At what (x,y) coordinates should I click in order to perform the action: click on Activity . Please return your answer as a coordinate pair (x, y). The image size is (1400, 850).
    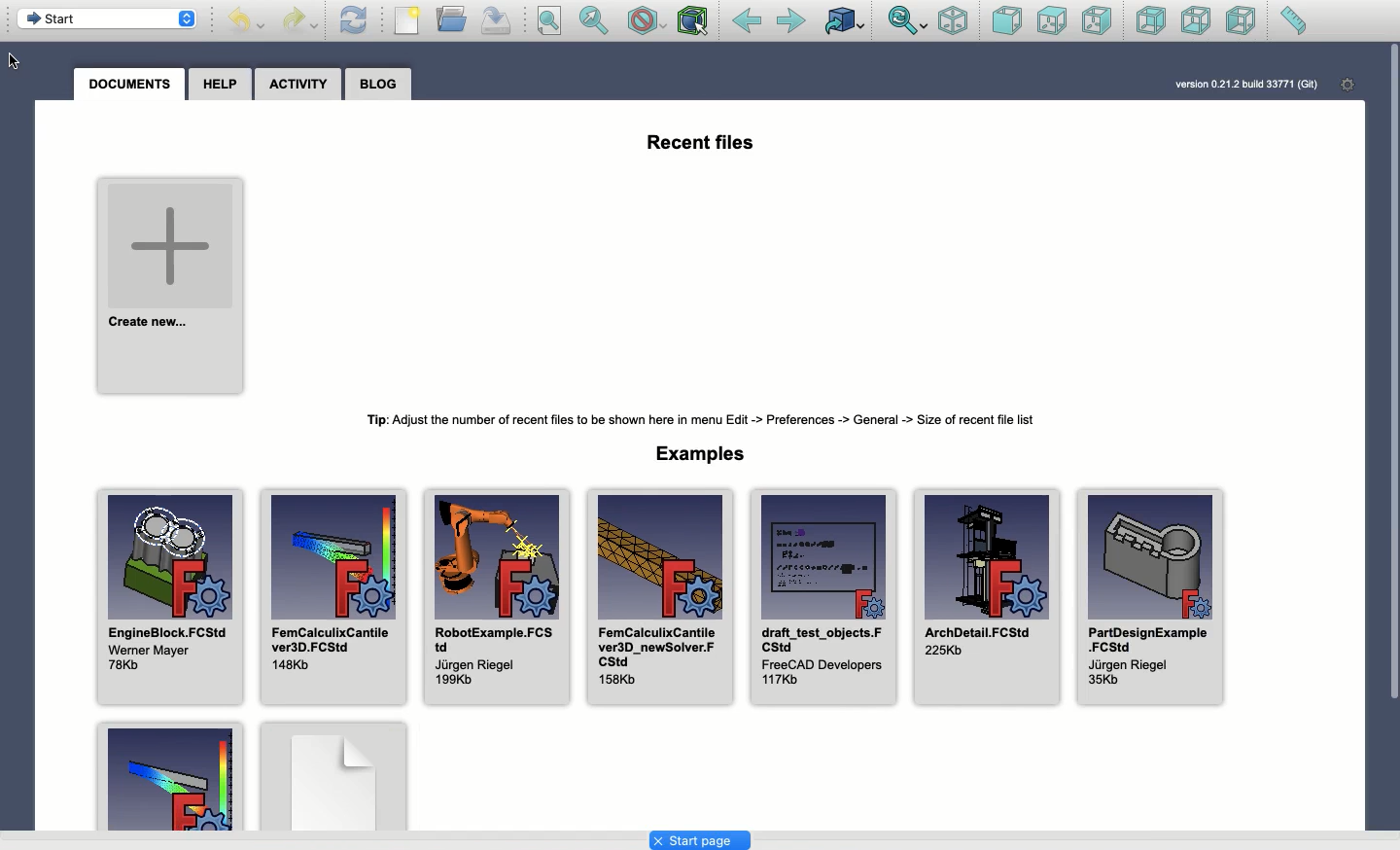
    Looking at the image, I should click on (298, 84).